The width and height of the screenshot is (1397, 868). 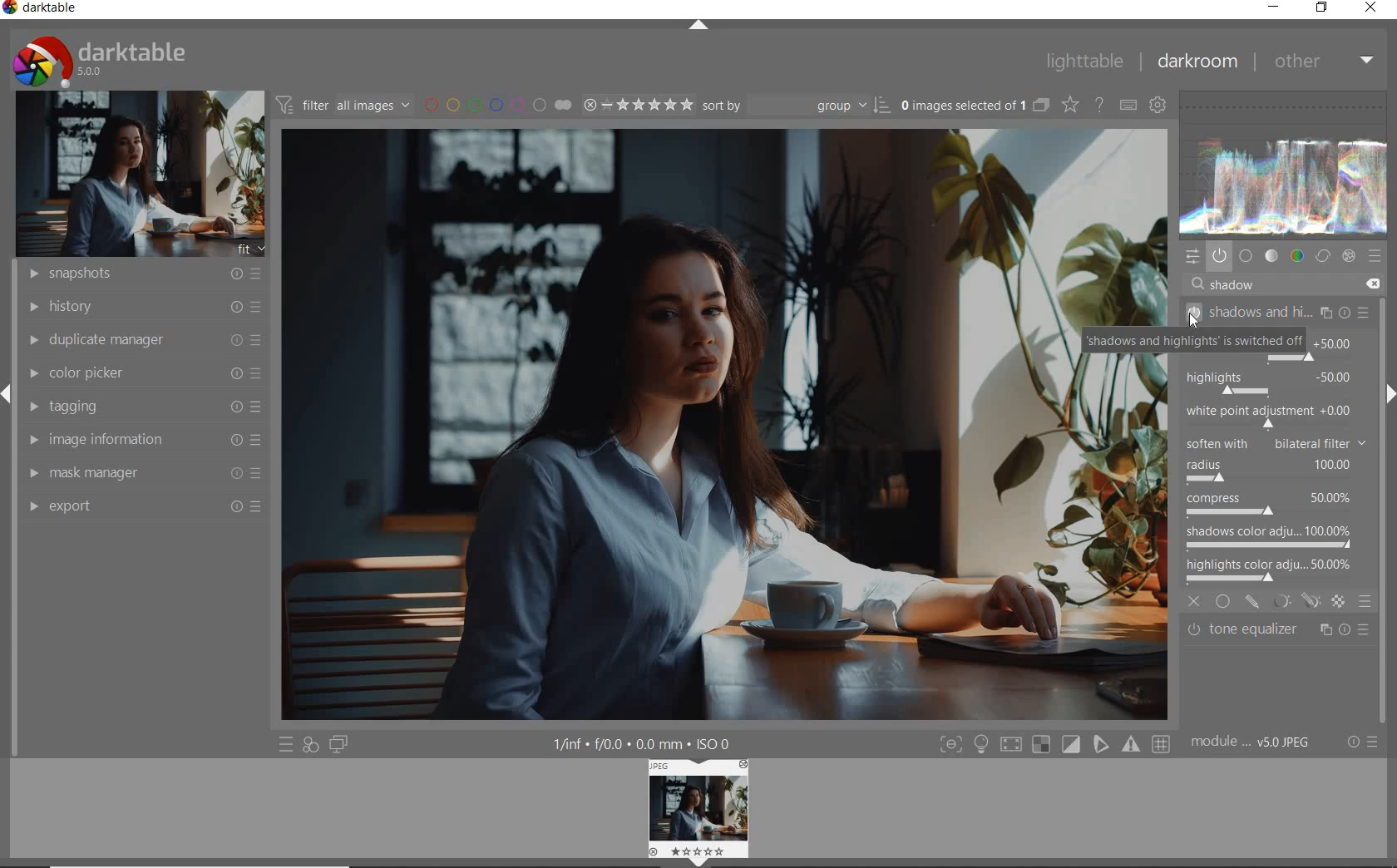 I want to click on effect, so click(x=1350, y=256).